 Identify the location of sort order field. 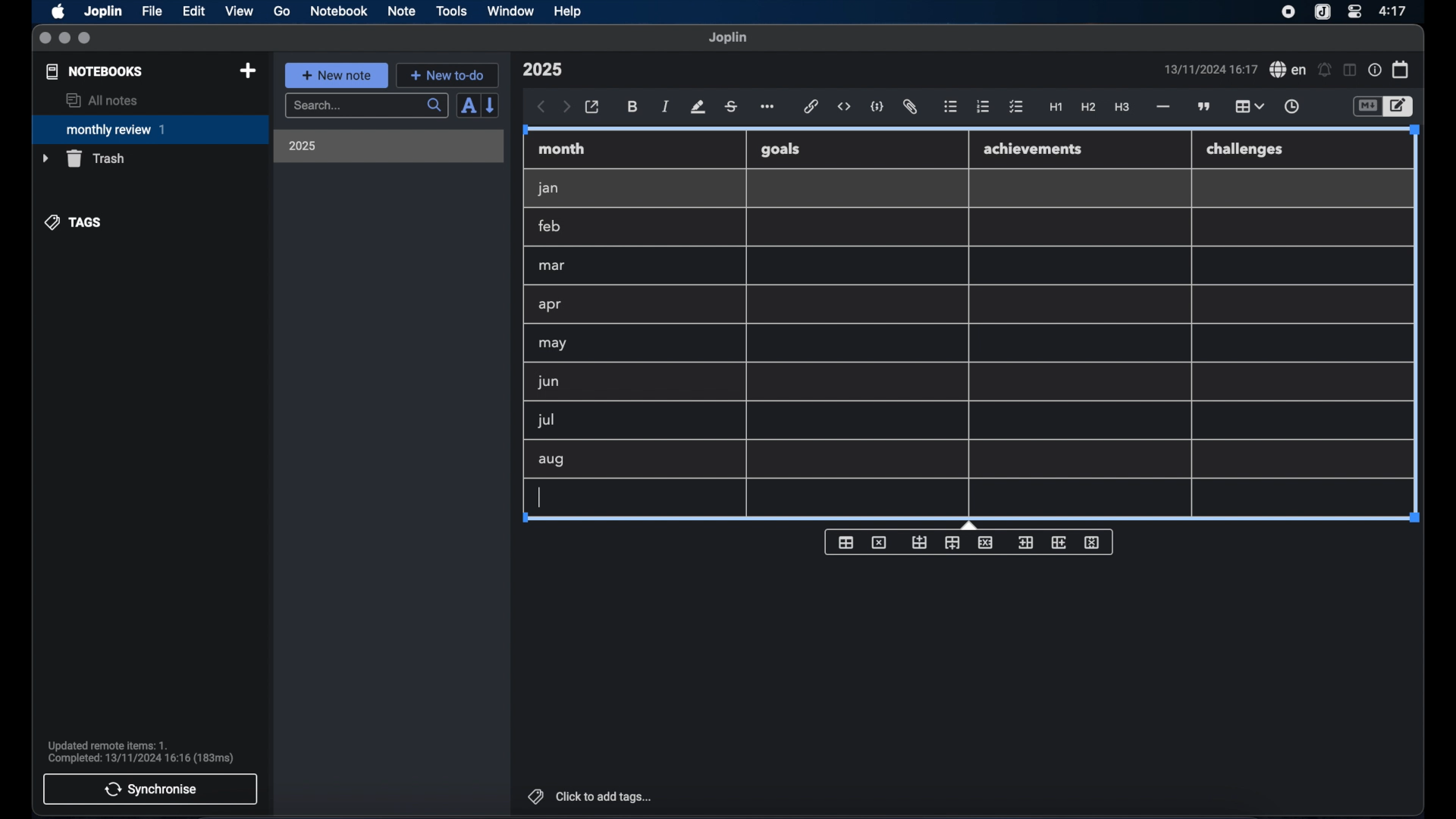
(468, 106).